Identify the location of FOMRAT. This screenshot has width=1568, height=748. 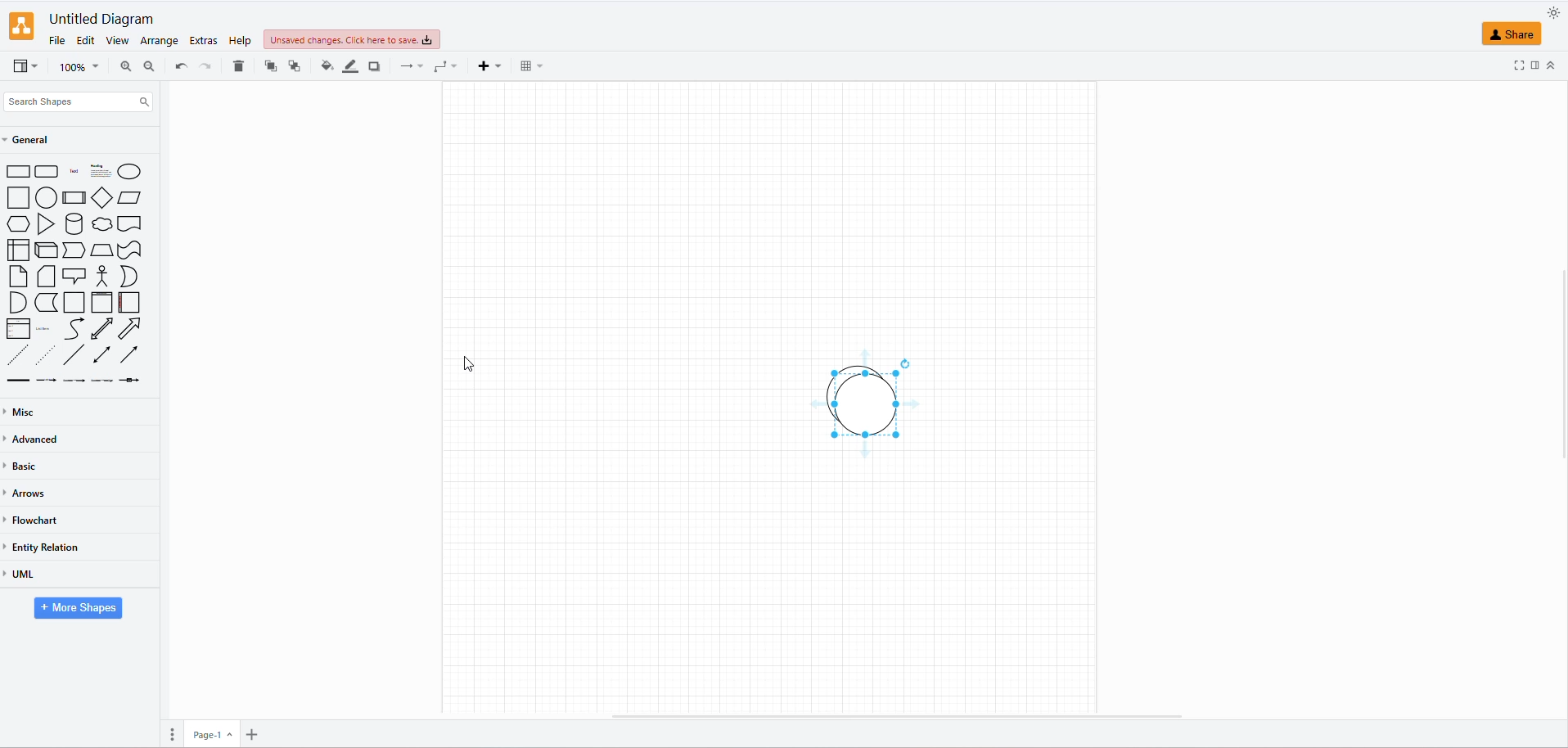
(1535, 63).